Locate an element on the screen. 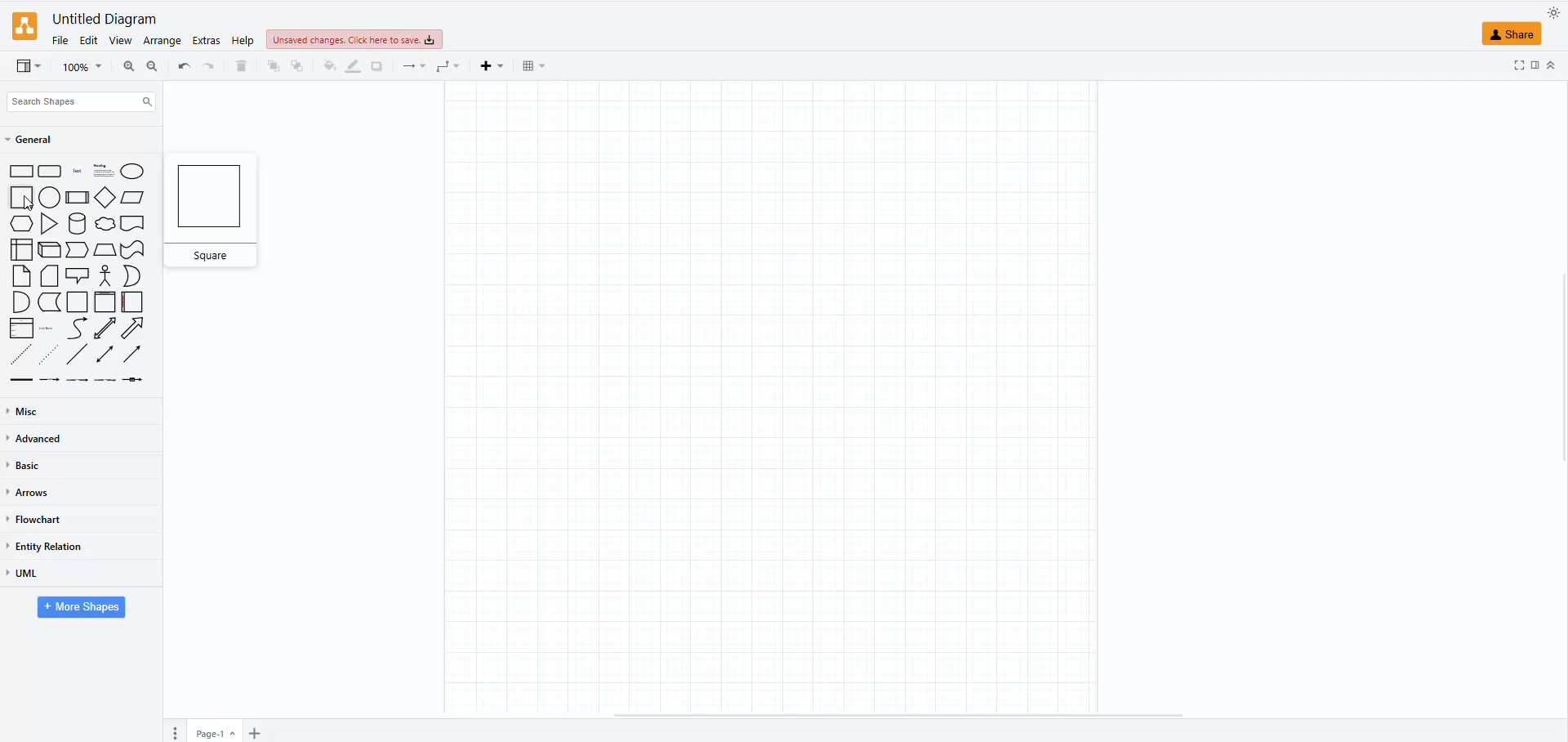  untitled diagram is located at coordinates (103, 20).